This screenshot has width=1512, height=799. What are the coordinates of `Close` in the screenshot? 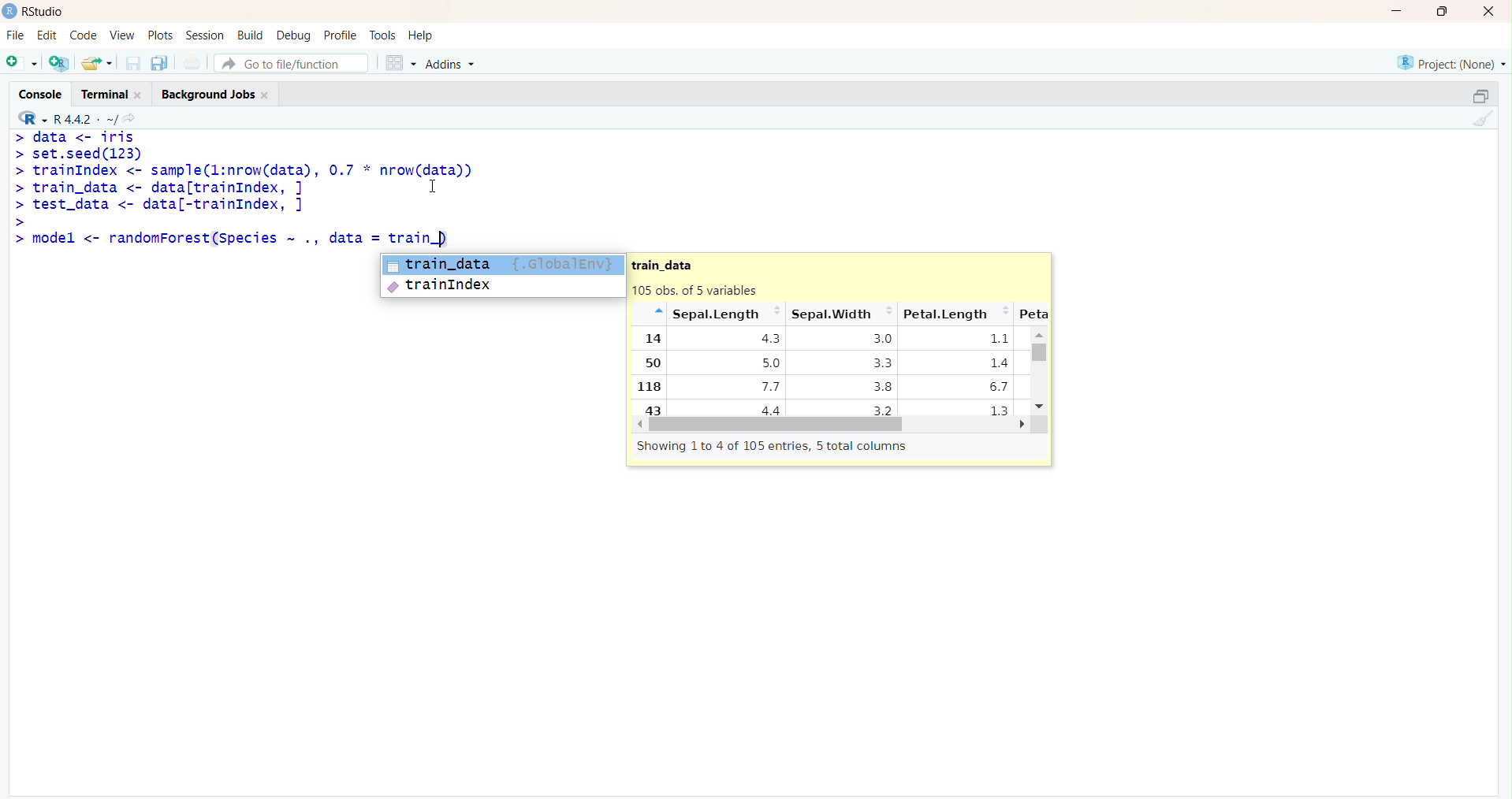 It's located at (1489, 13).